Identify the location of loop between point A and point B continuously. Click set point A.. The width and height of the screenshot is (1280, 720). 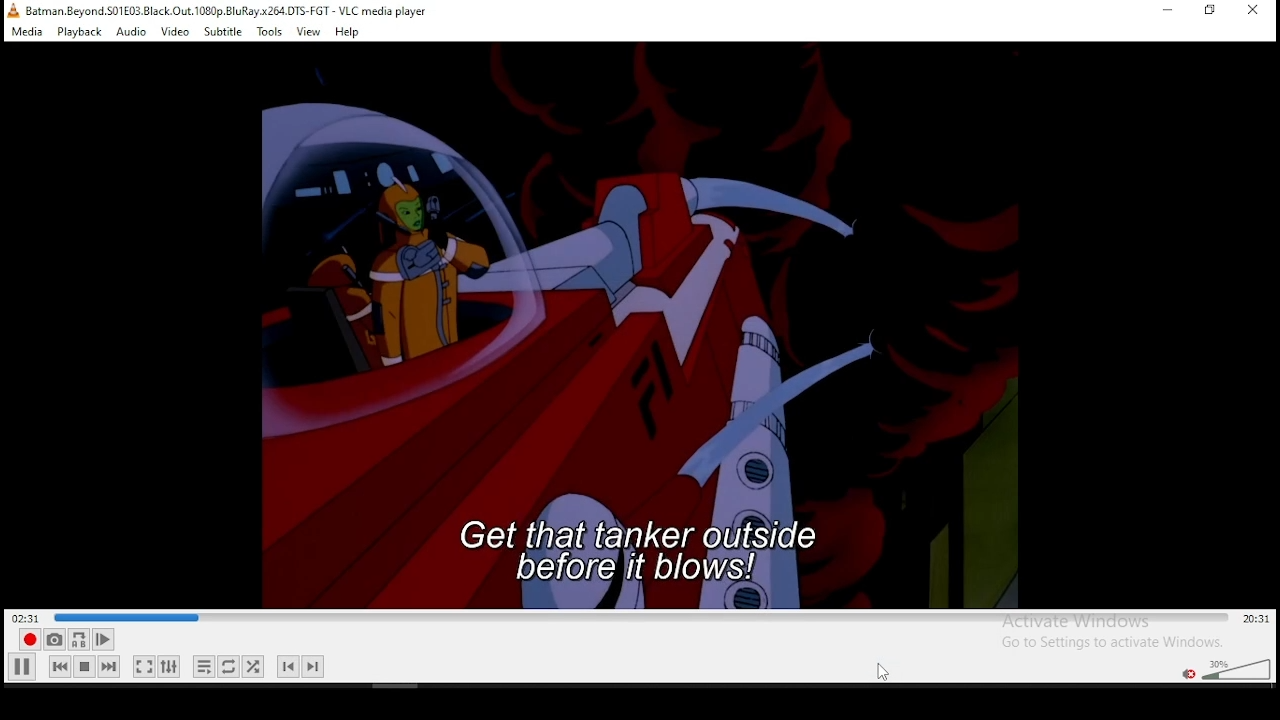
(78, 640).